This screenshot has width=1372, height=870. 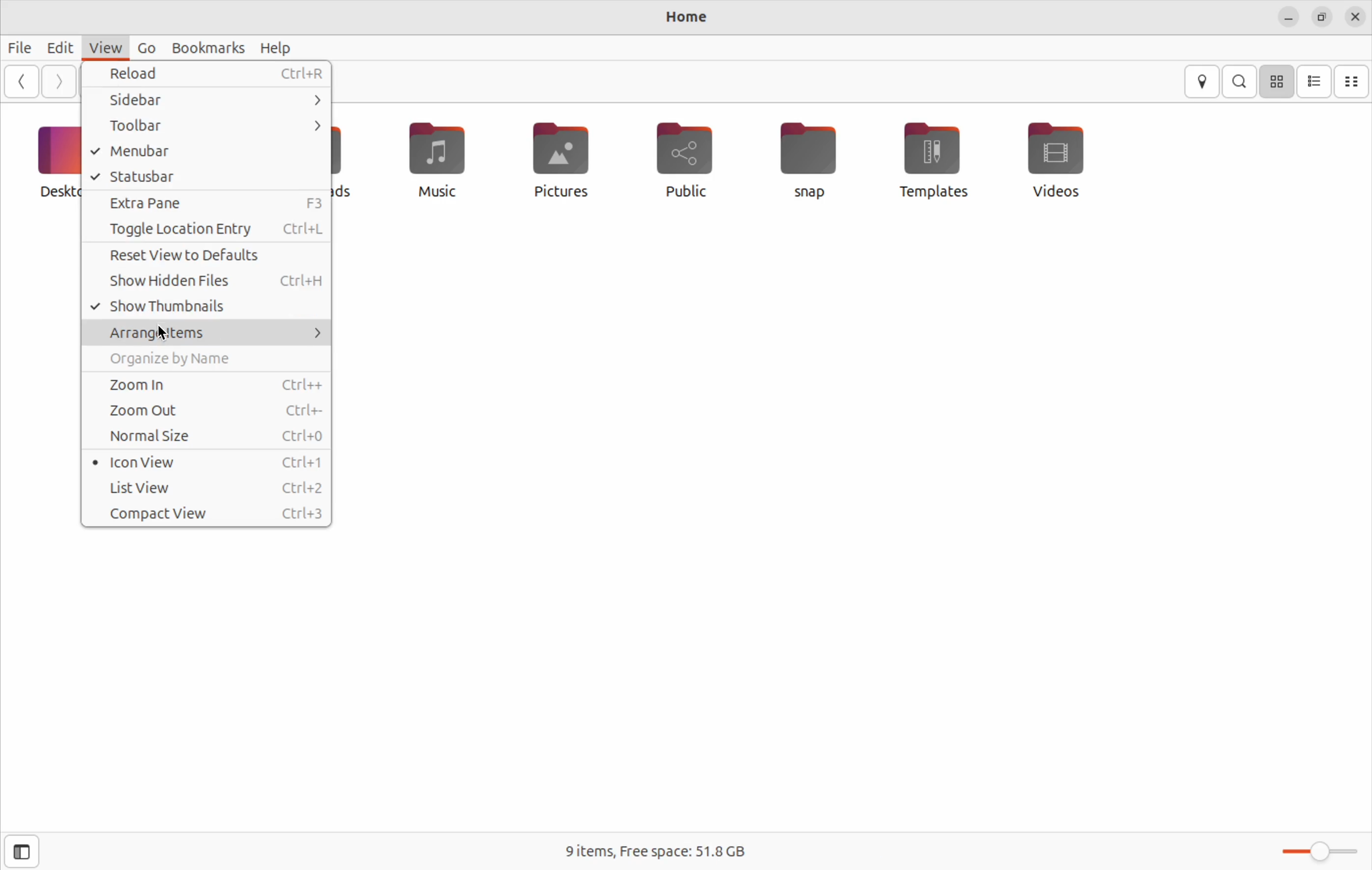 What do you see at coordinates (211, 46) in the screenshot?
I see `bookmarks` at bounding box center [211, 46].